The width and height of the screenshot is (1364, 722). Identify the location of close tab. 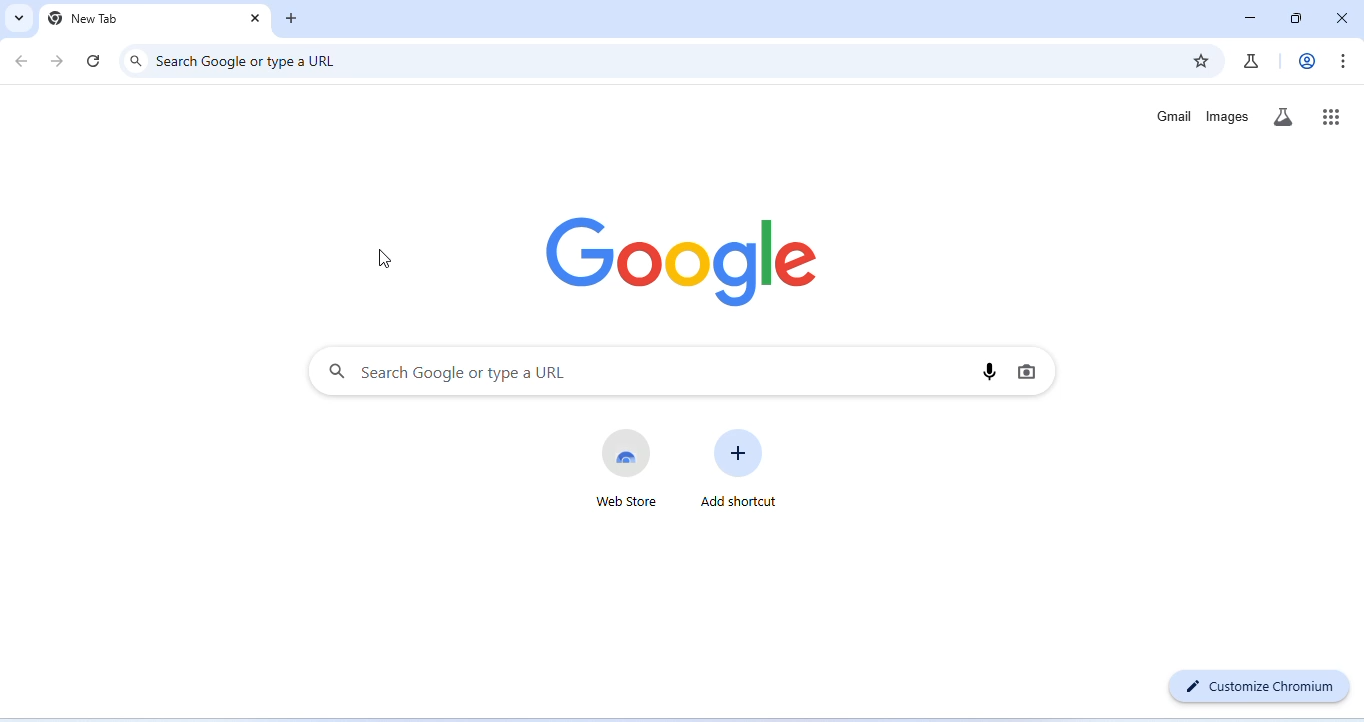
(256, 19).